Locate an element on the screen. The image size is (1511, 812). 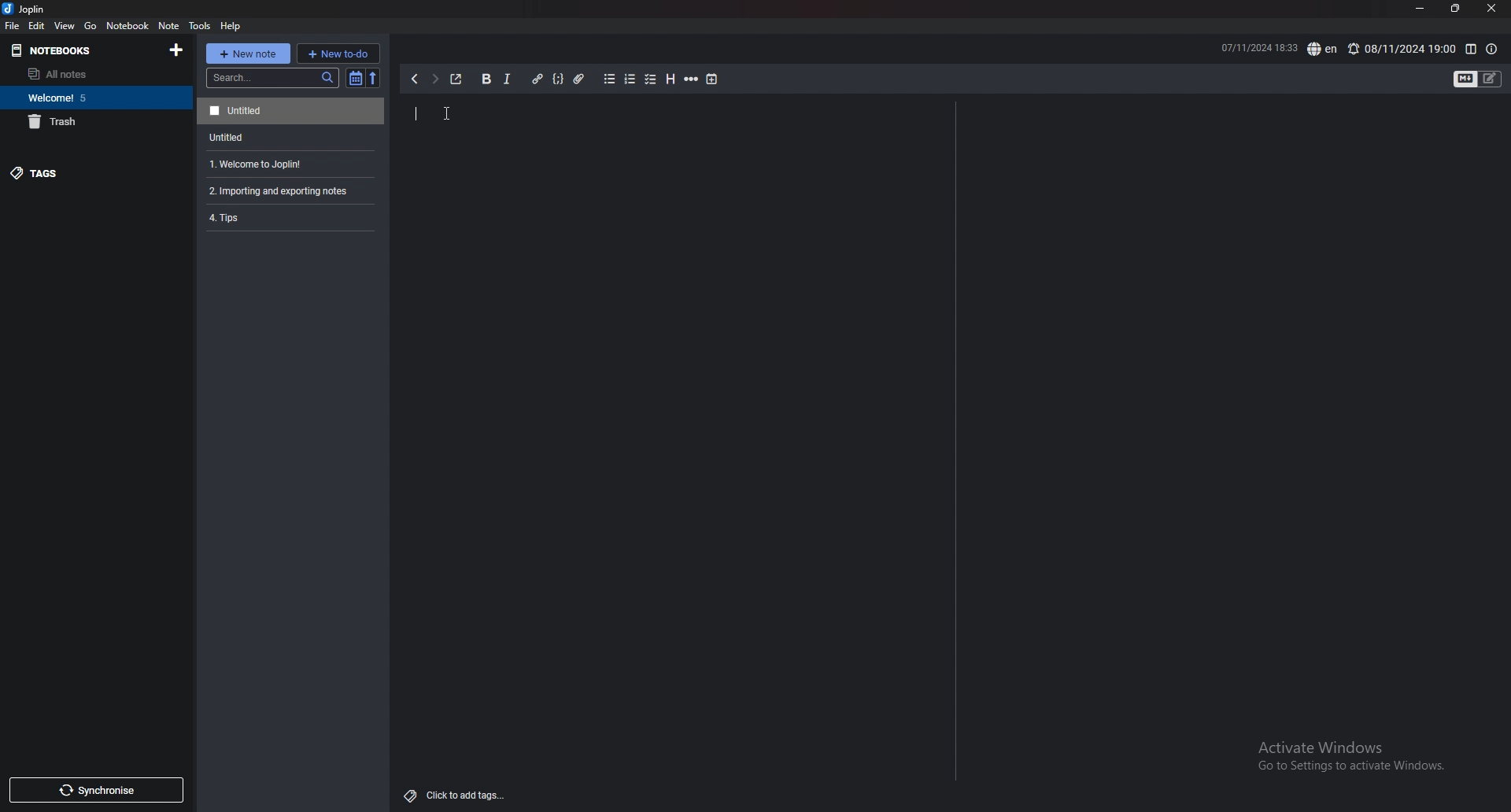
joplin is located at coordinates (27, 9).